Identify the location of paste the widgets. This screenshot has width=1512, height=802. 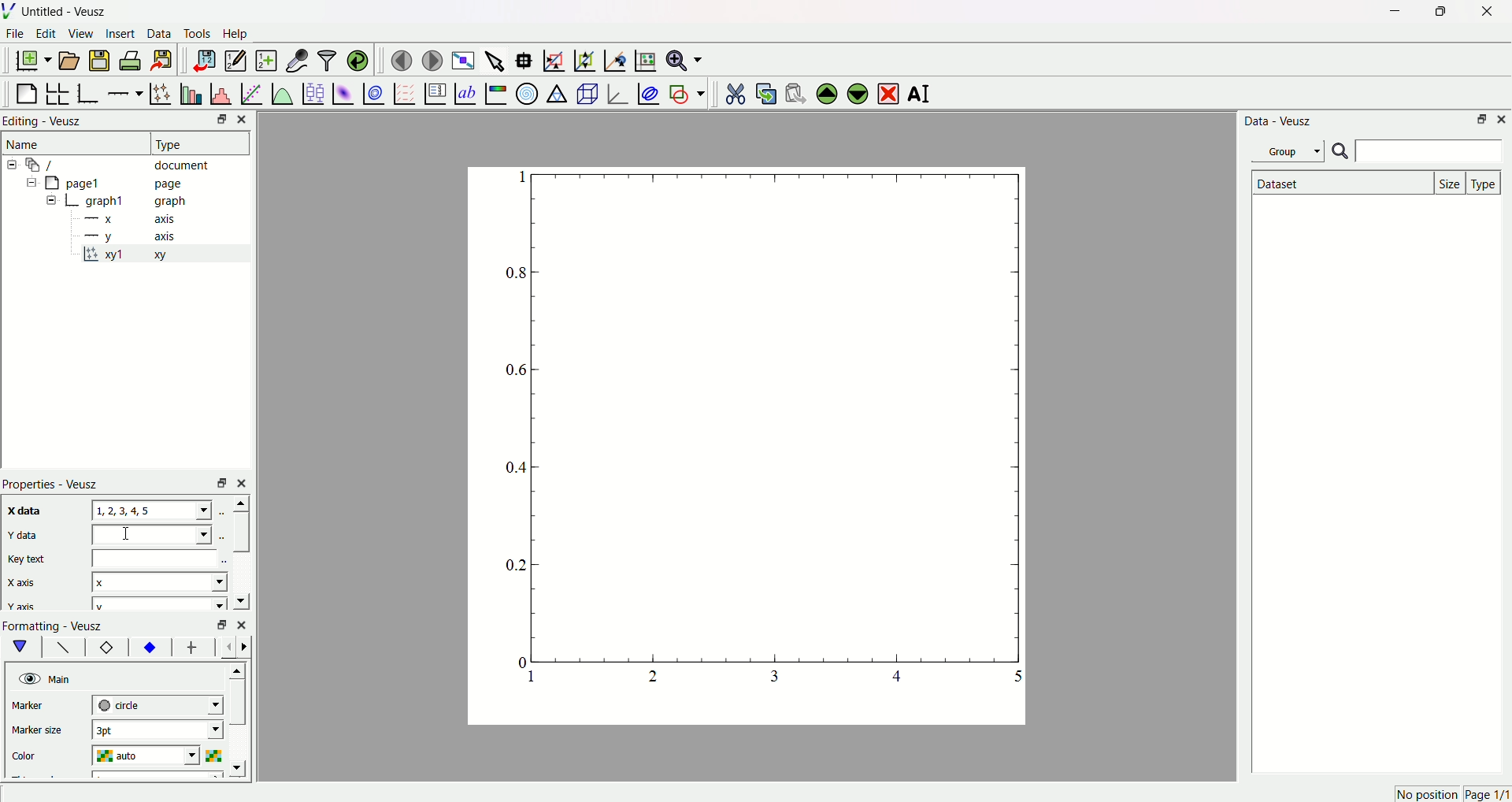
(796, 91).